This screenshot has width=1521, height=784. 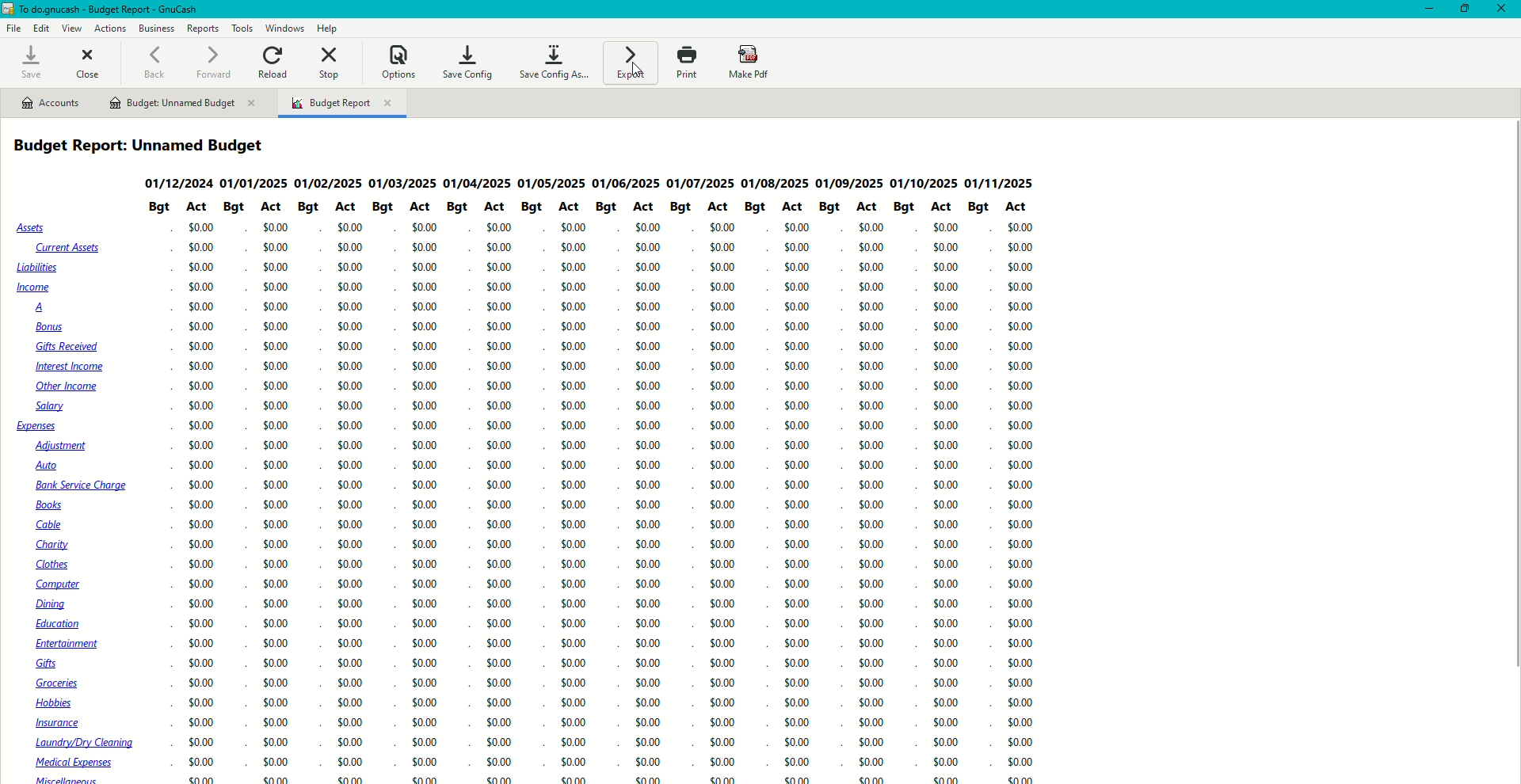 What do you see at coordinates (498, 645) in the screenshot?
I see `$0.00` at bounding box center [498, 645].